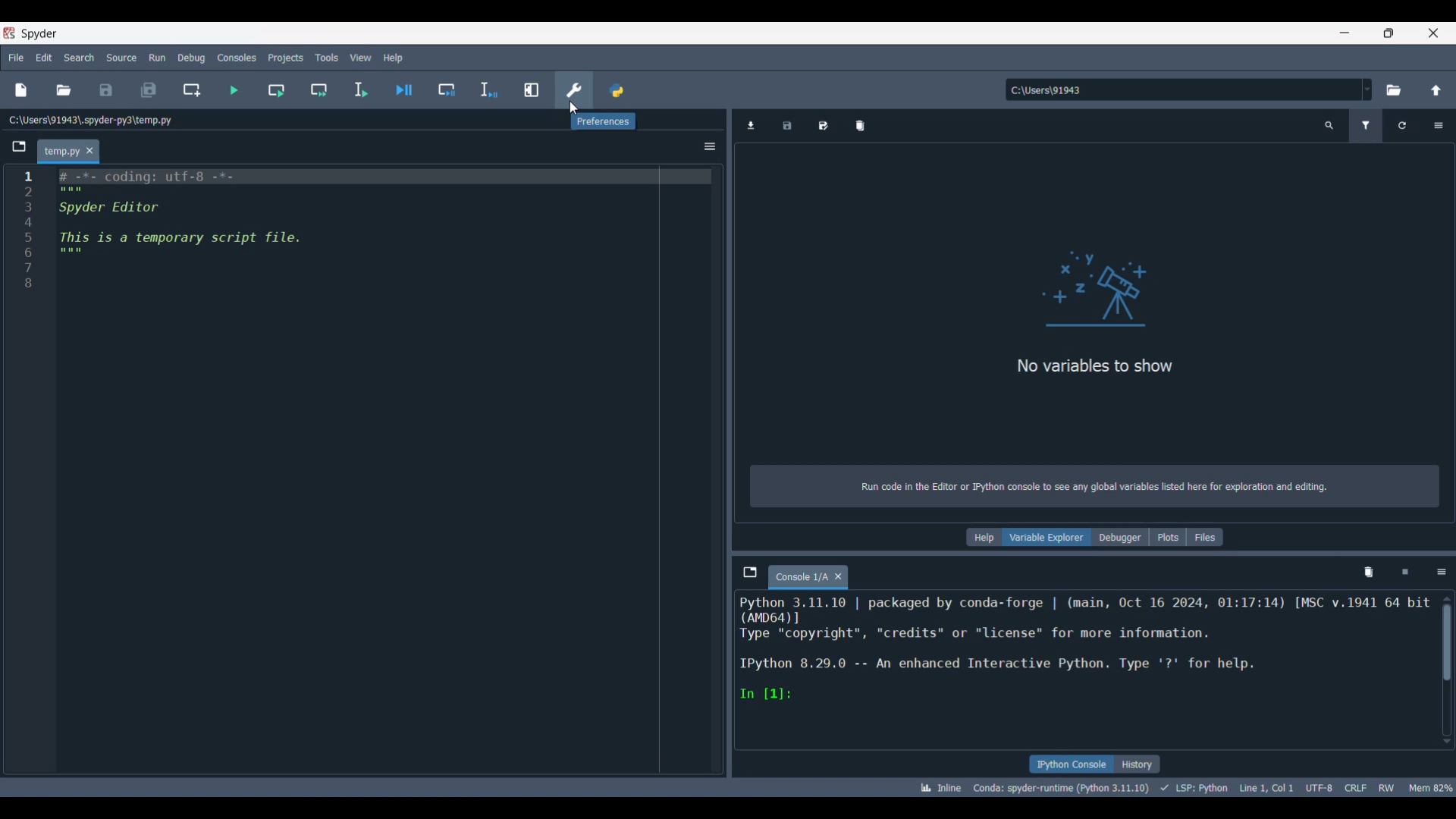  I want to click on Browse tabs, so click(750, 572).